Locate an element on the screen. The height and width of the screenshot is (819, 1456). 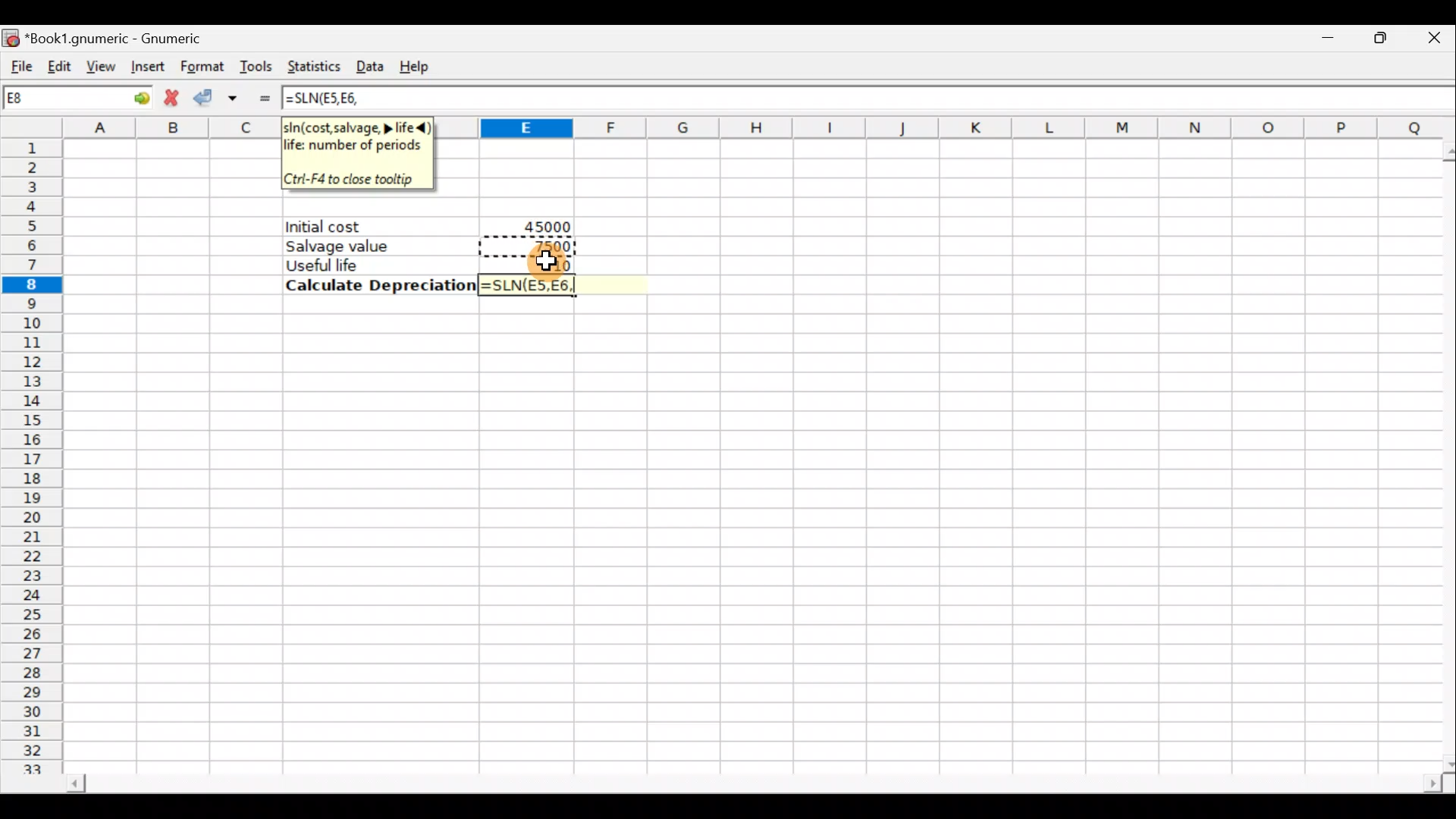
10 is located at coordinates (557, 264).